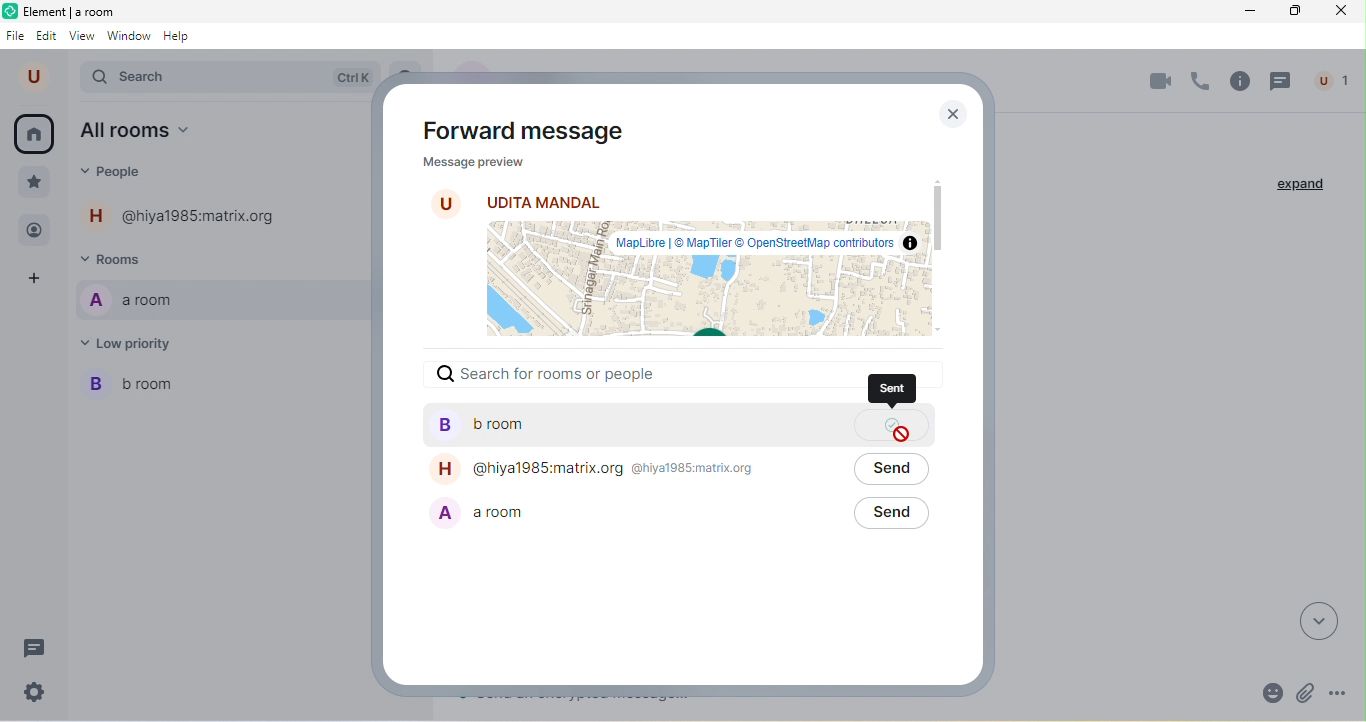 This screenshot has width=1366, height=722. Describe the element at coordinates (939, 327) in the screenshot. I see `scroll down` at that location.